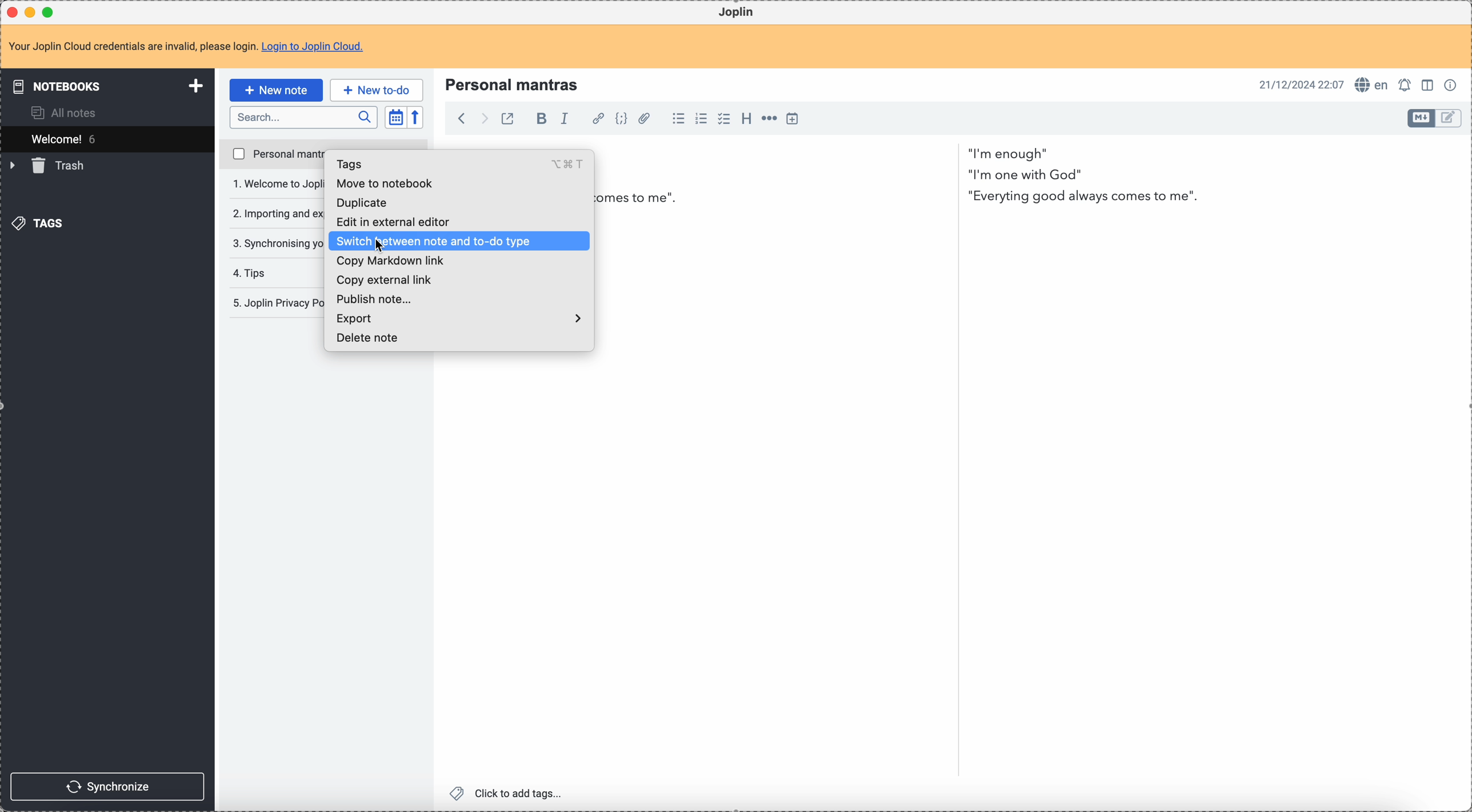  What do you see at coordinates (394, 117) in the screenshot?
I see `toggle sort order field` at bounding box center [394, 117].